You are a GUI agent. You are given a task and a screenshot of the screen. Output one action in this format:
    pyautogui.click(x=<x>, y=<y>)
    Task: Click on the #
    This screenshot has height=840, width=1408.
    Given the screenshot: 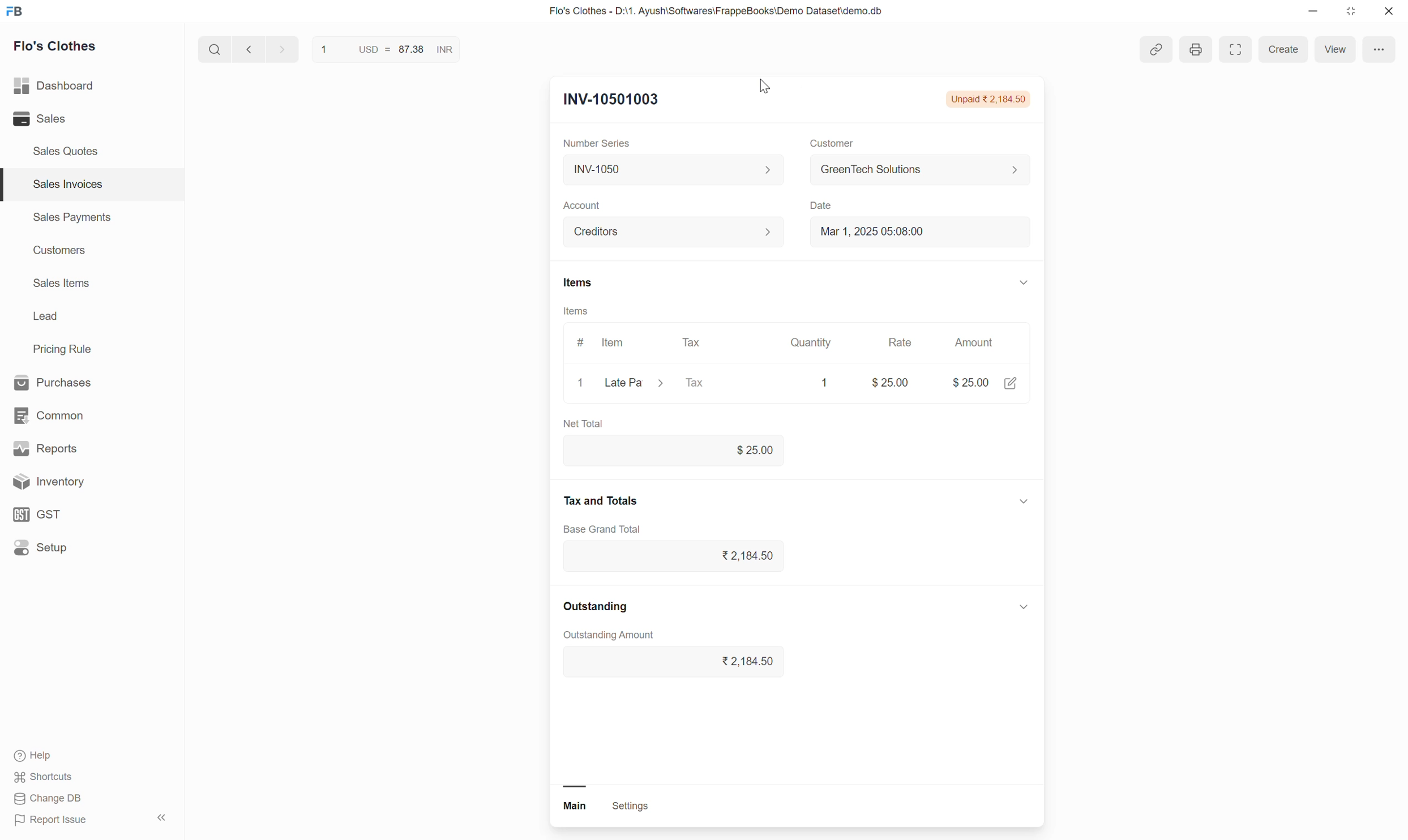 What is the action you would take?
    pyautogui.click(x=577, y=345)
    